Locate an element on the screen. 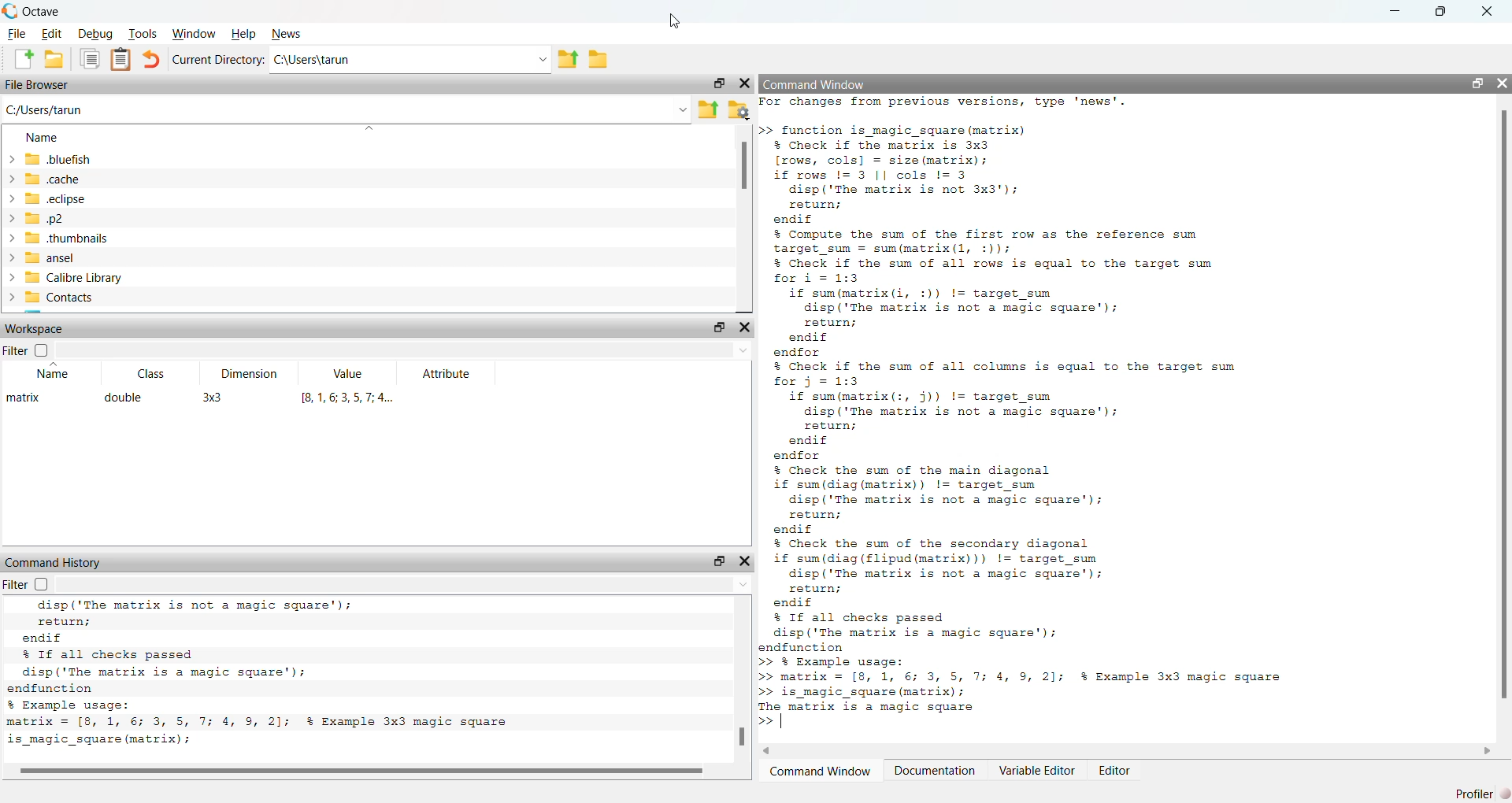 This screenshot has height=803, width=1512. matrix is located at coordinates (20, 398).